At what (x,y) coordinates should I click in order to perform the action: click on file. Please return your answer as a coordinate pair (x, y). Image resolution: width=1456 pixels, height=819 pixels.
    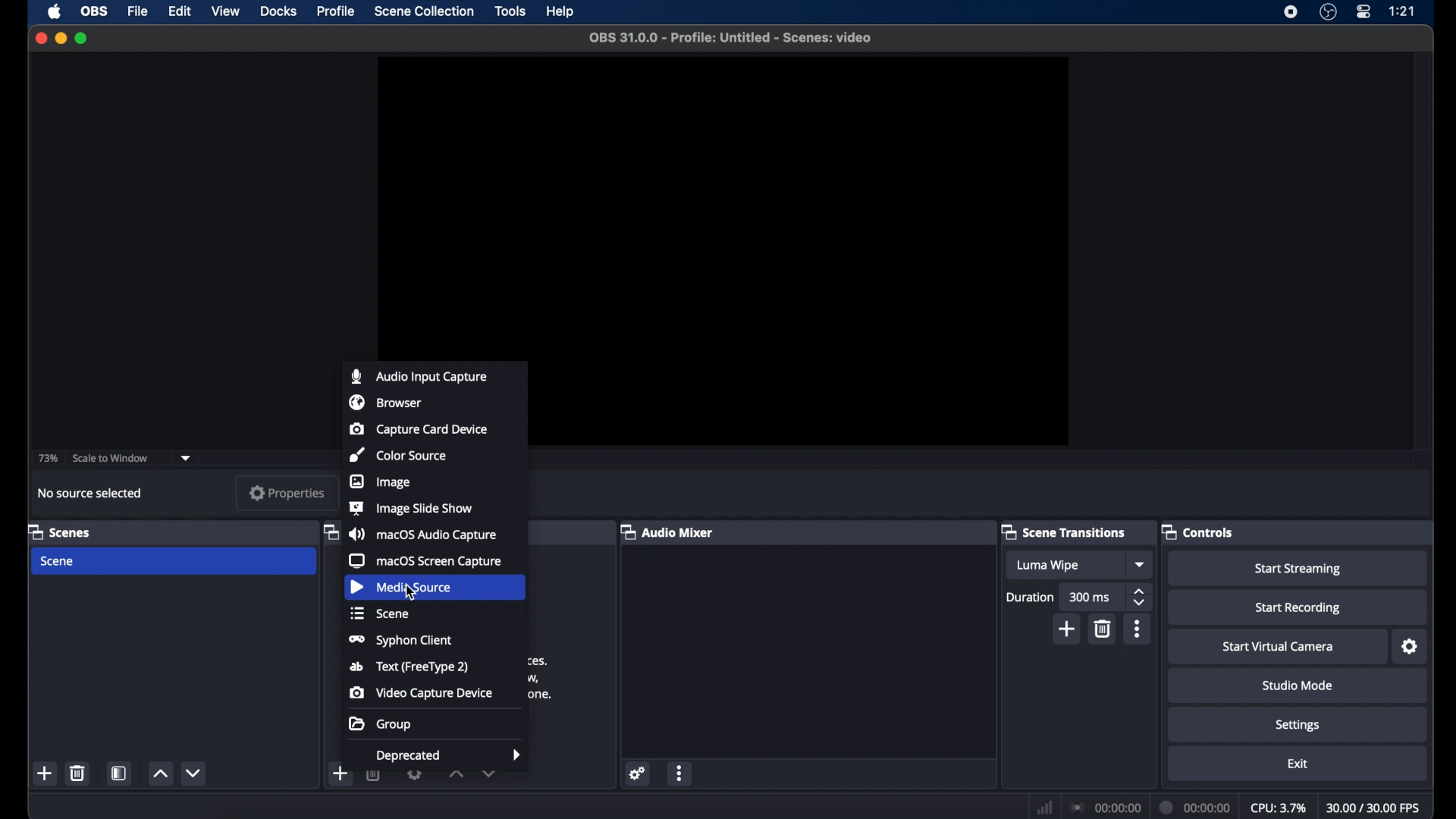
    Looking at the image, I should click on (140, 11).